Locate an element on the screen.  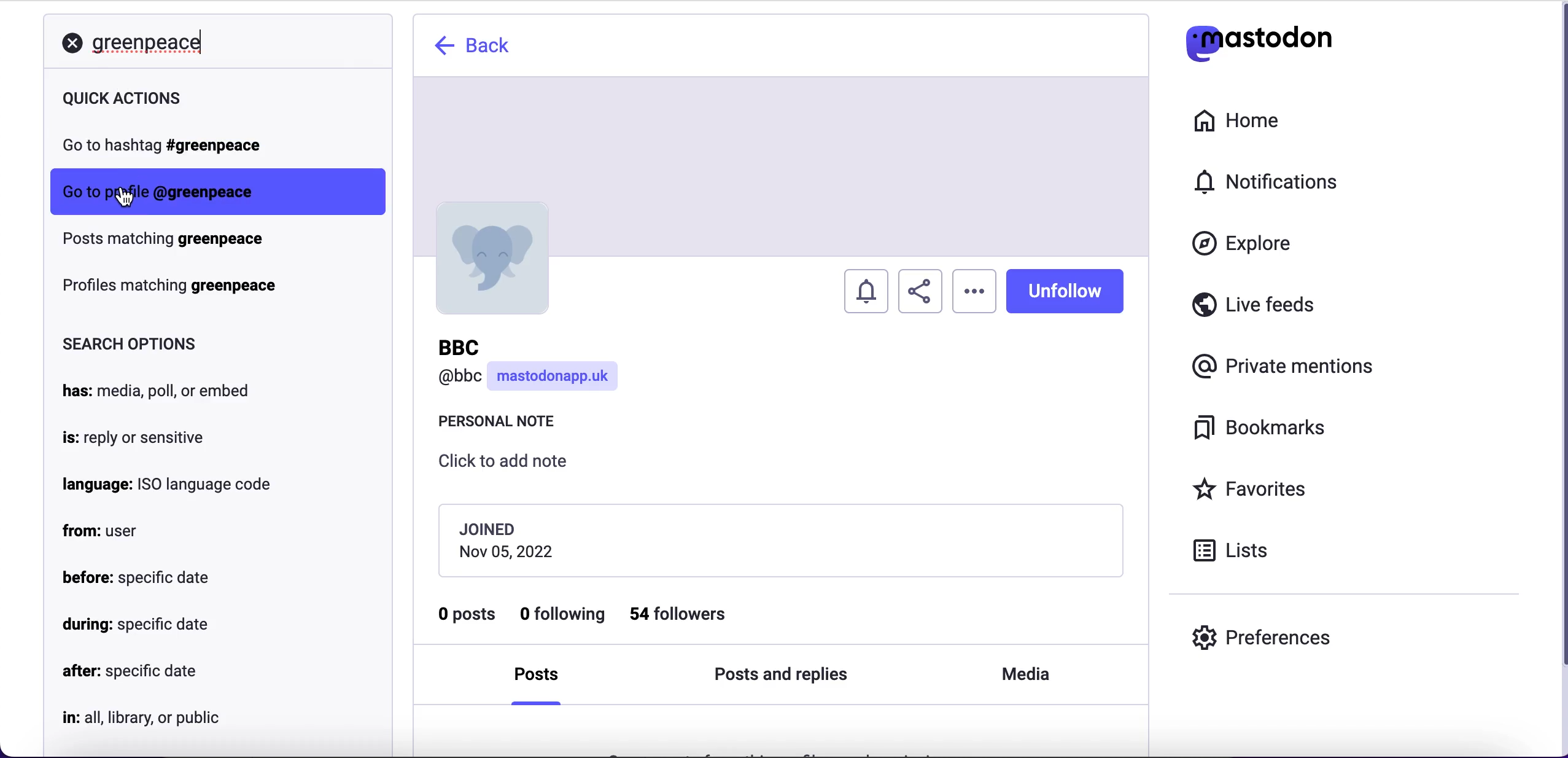
options is located at coordinates (974, 291).